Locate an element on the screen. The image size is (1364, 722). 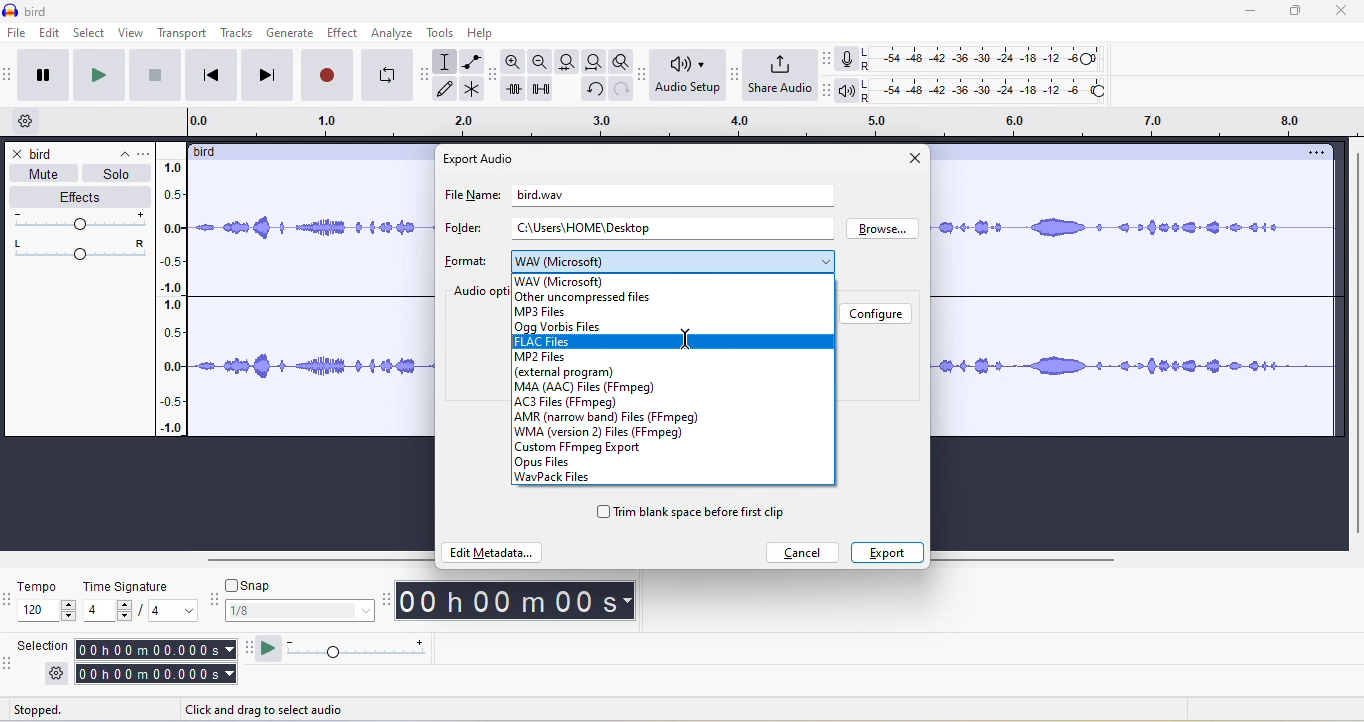
format is located at coordinates (465, 261).